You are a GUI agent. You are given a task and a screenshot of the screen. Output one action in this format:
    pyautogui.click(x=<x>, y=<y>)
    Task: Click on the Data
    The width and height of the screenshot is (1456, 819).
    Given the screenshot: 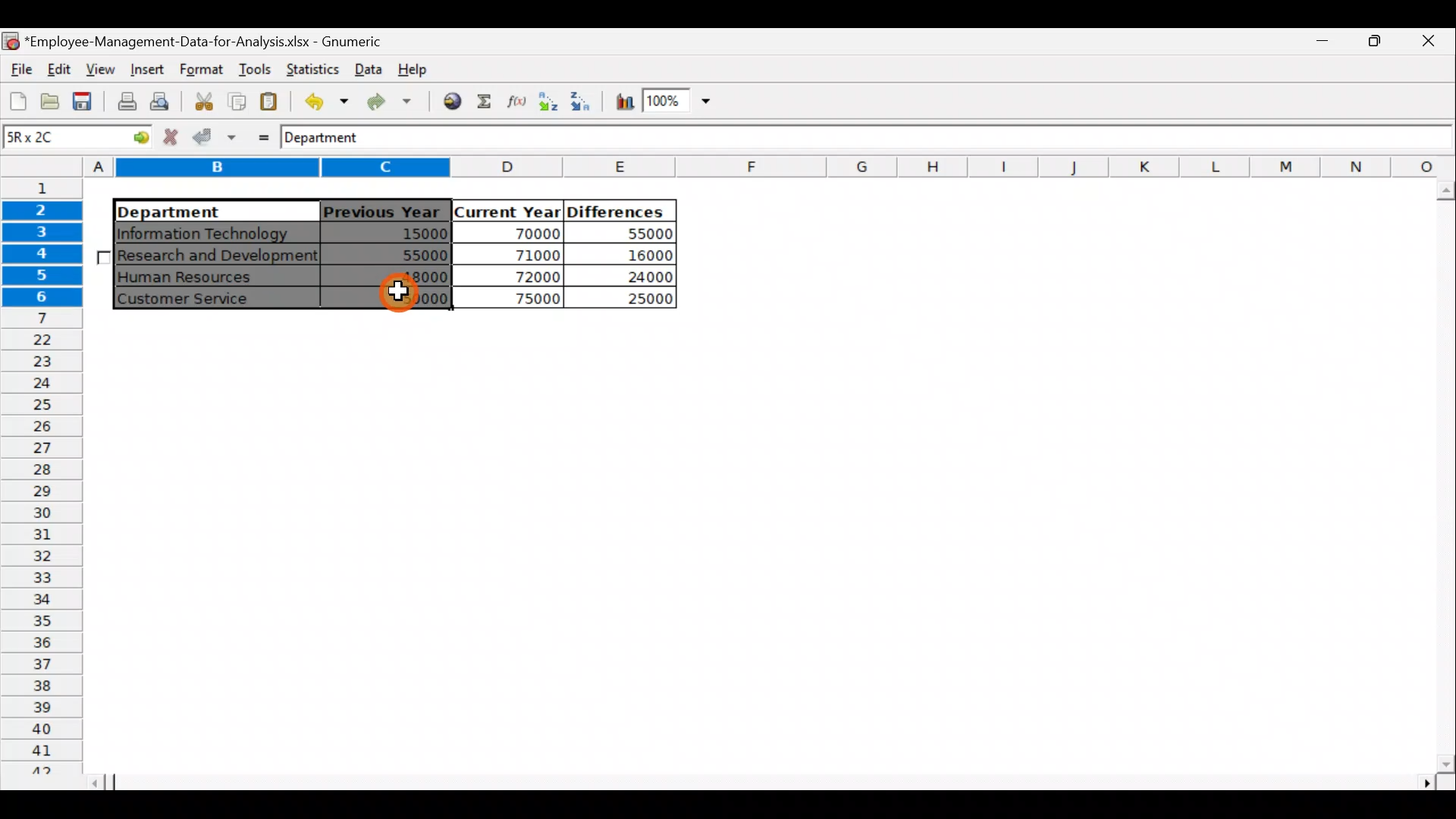 What is the action you would take?
    pyautogui.click(x=368, y=67)
    